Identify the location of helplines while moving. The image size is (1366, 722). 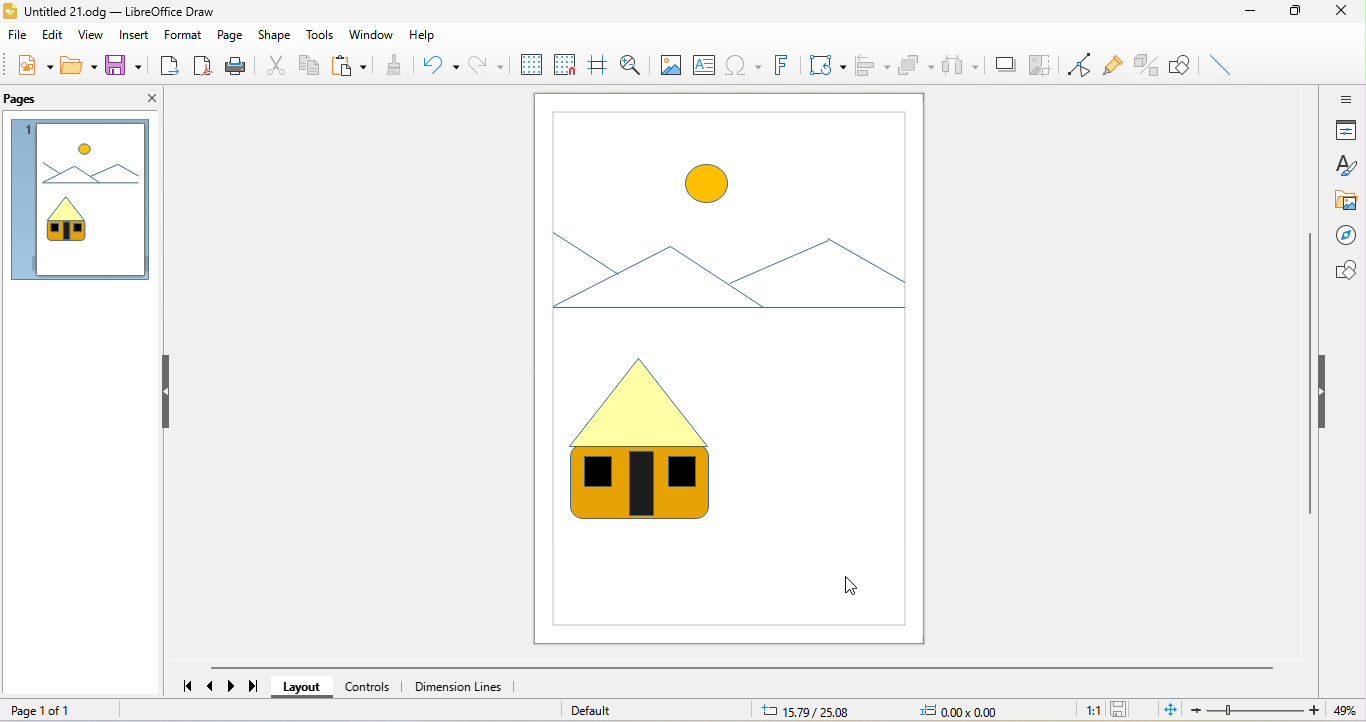
(599, 63).